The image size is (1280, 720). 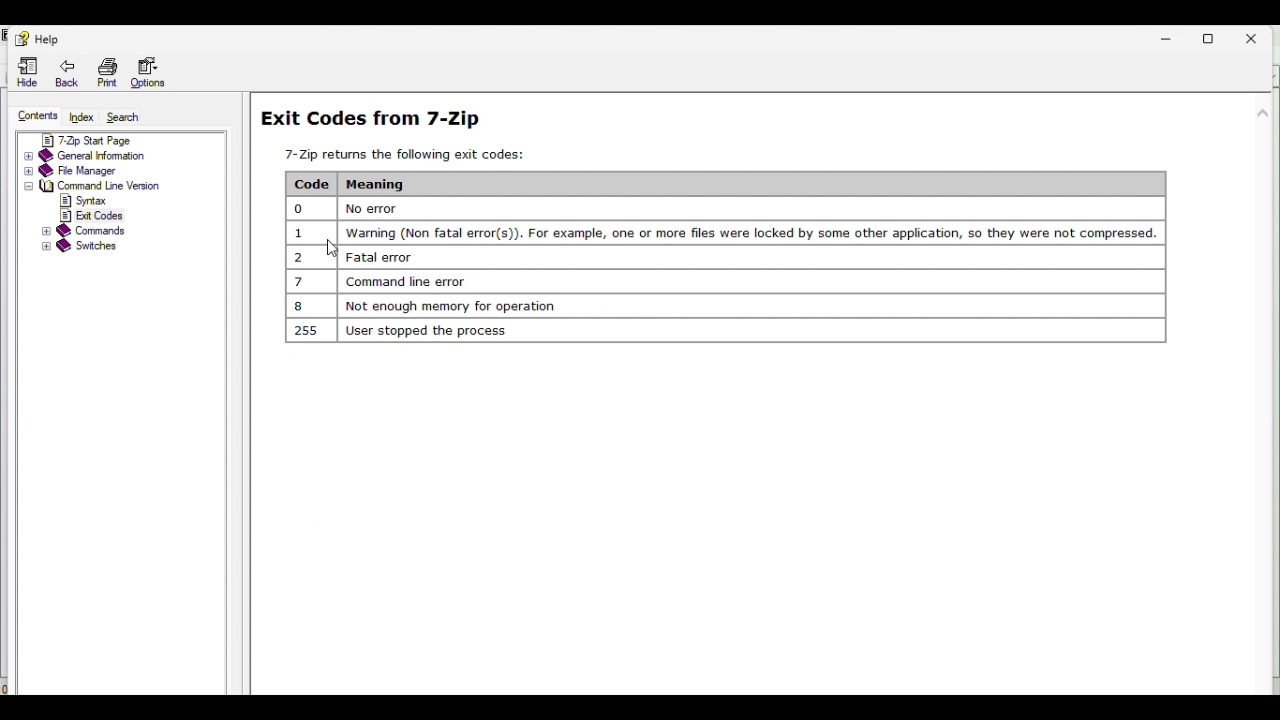 I want to click on Switches , so click(x=89, y=248).